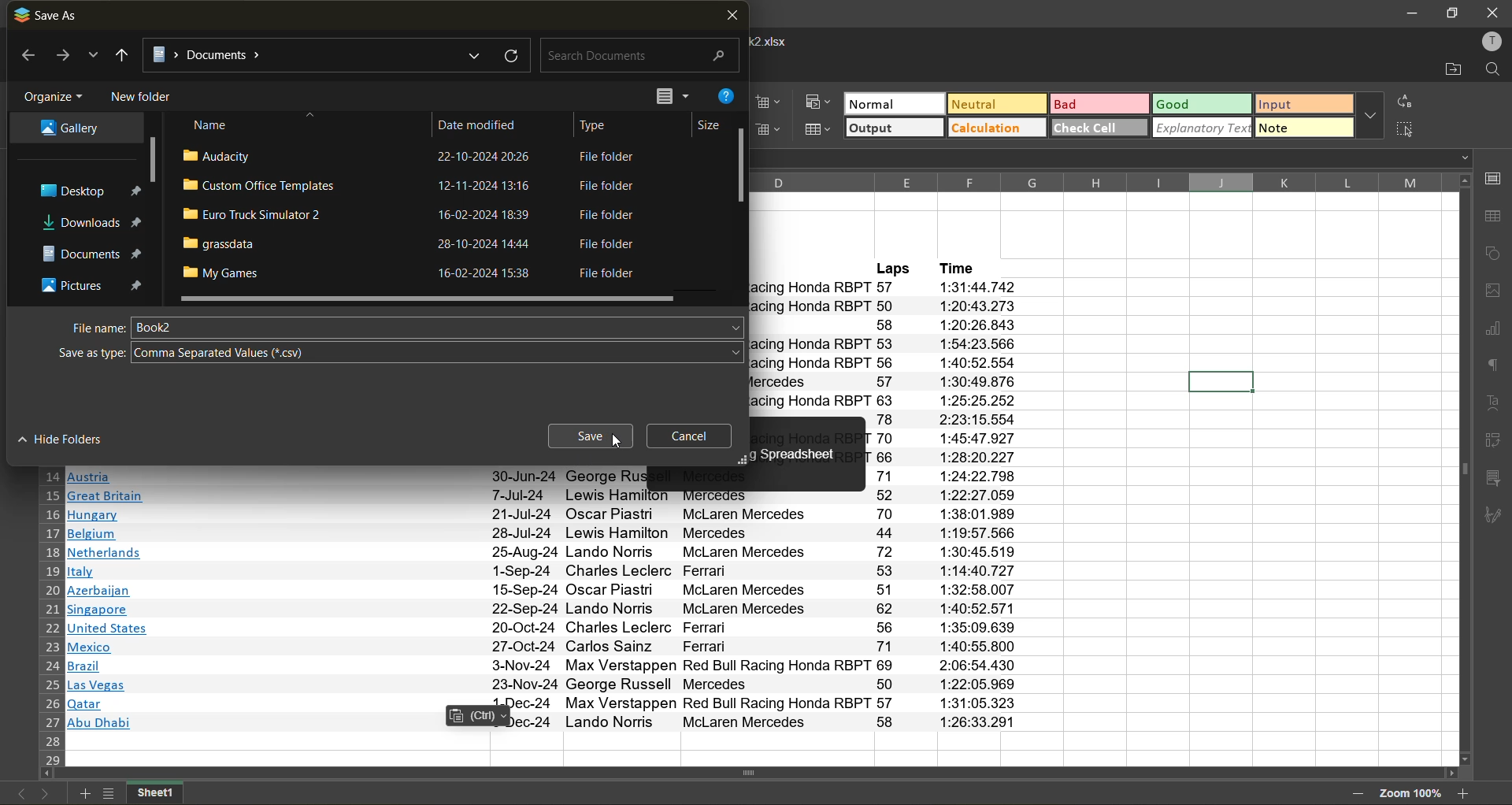  I want to click on folder, so click(91, 223).